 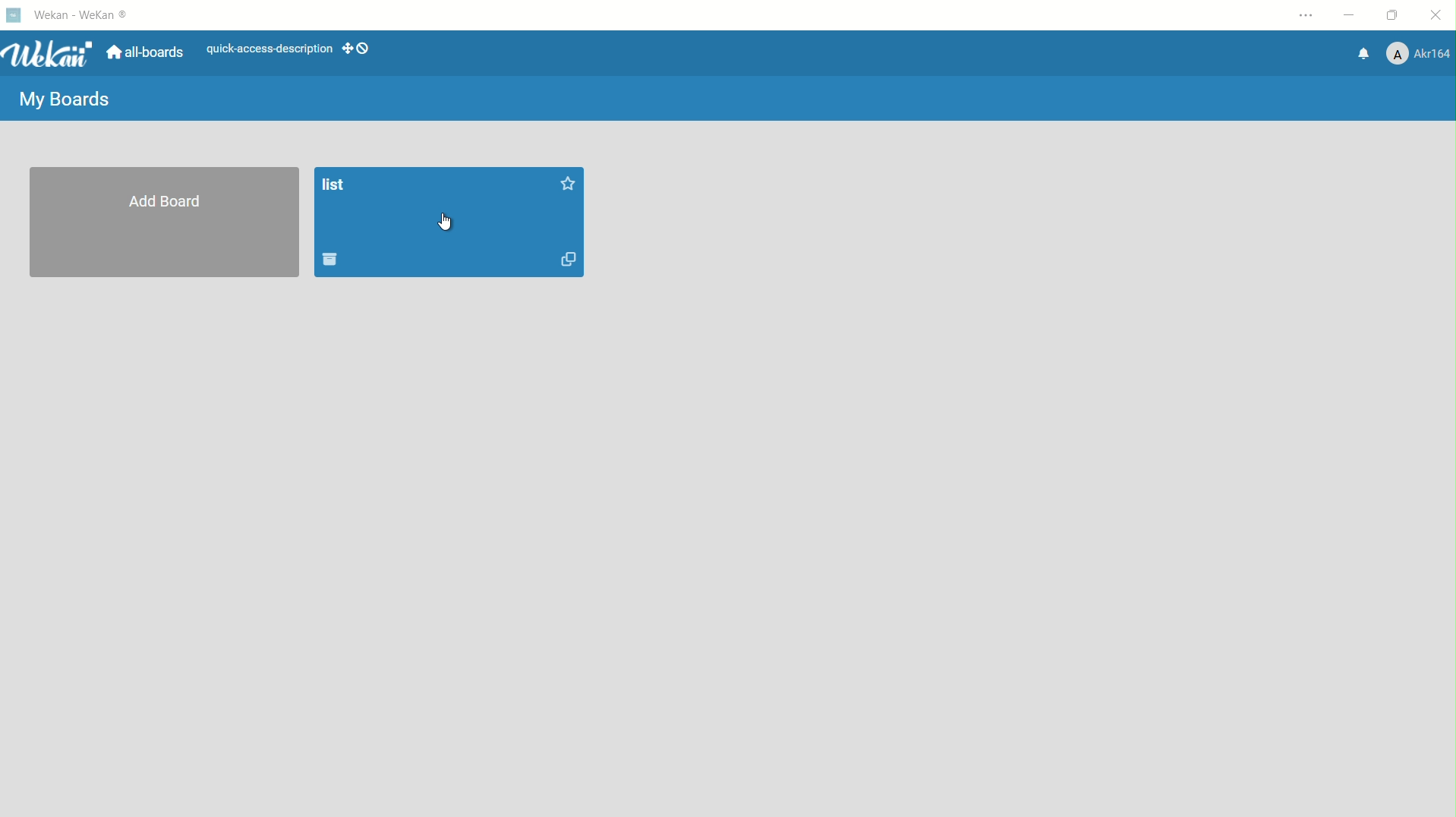 I want to click on settings and more, so click(x=1303, y=17).